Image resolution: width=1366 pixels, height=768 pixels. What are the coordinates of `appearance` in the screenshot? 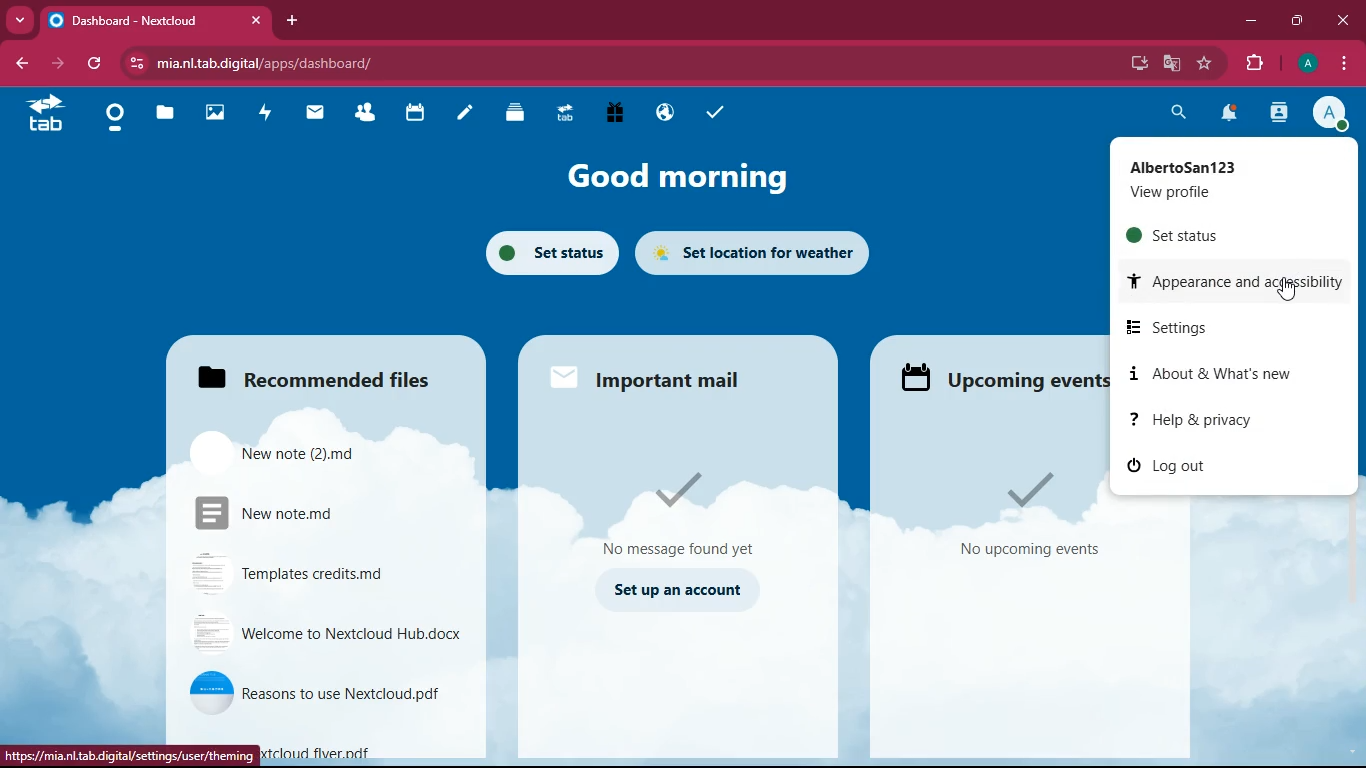 It's located at (1242, 282).